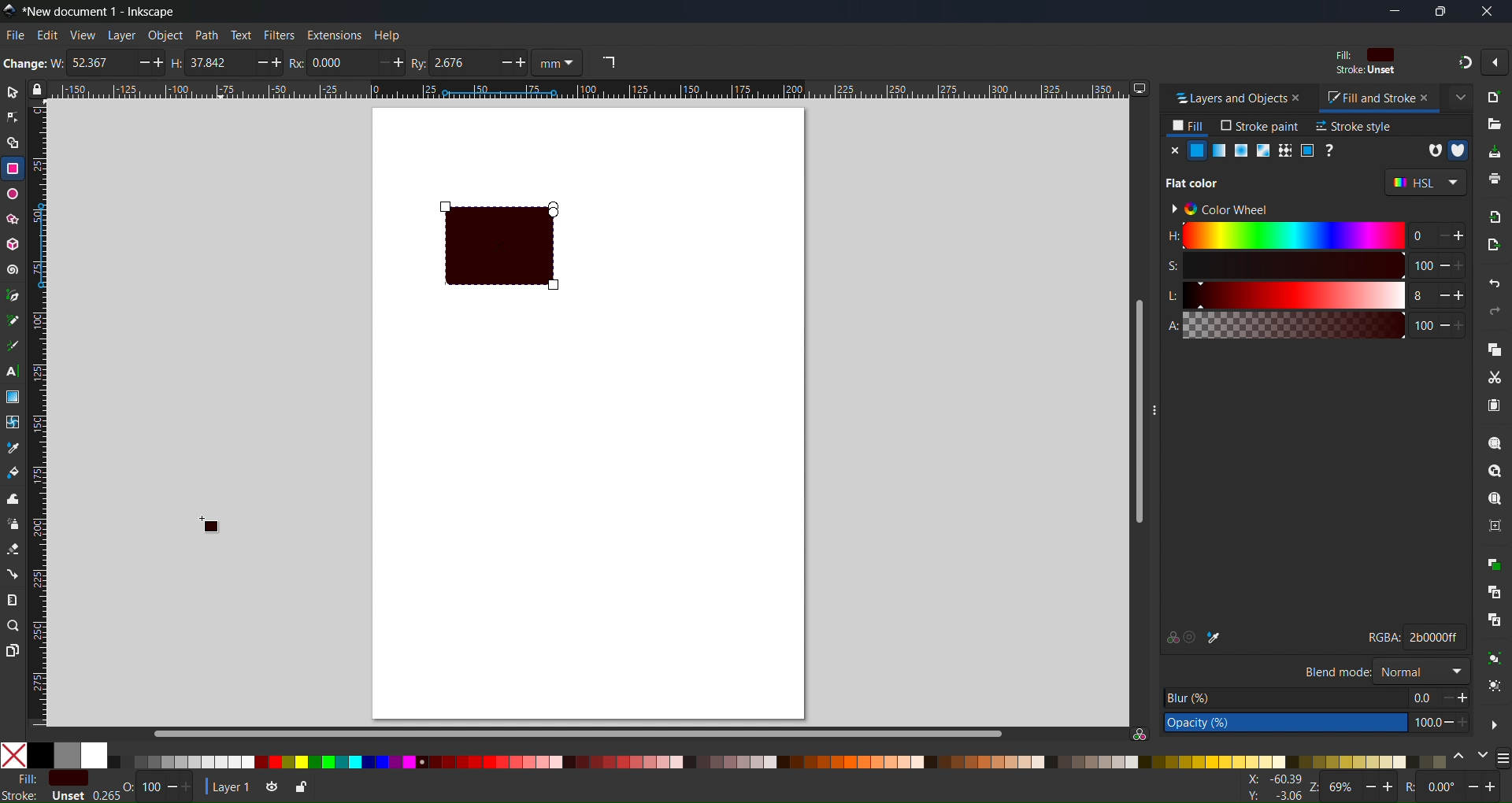 The width and height of the screenshot is (1512, 803). What do you see at coordinates (1189, 126) in the screenshot?
I see `fill` at bounding box center [1189, 126].